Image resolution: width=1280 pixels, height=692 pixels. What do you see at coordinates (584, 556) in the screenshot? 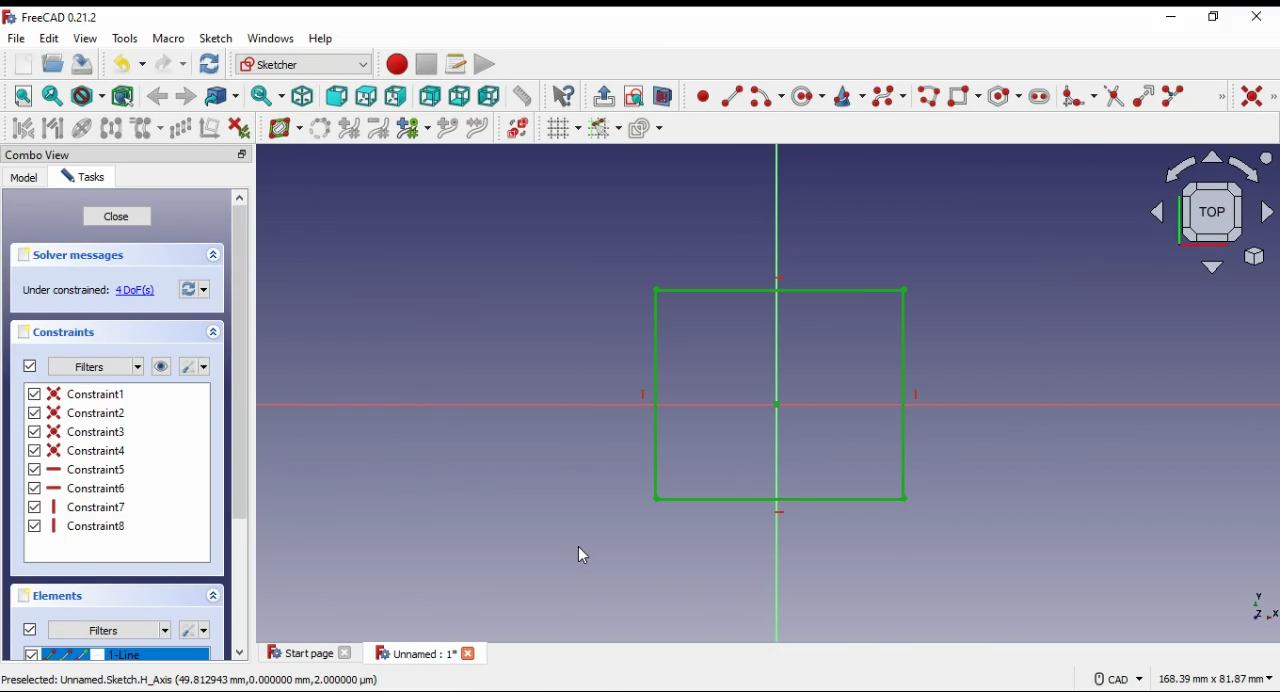
I see `cursor` at bounding box center [584, 556].